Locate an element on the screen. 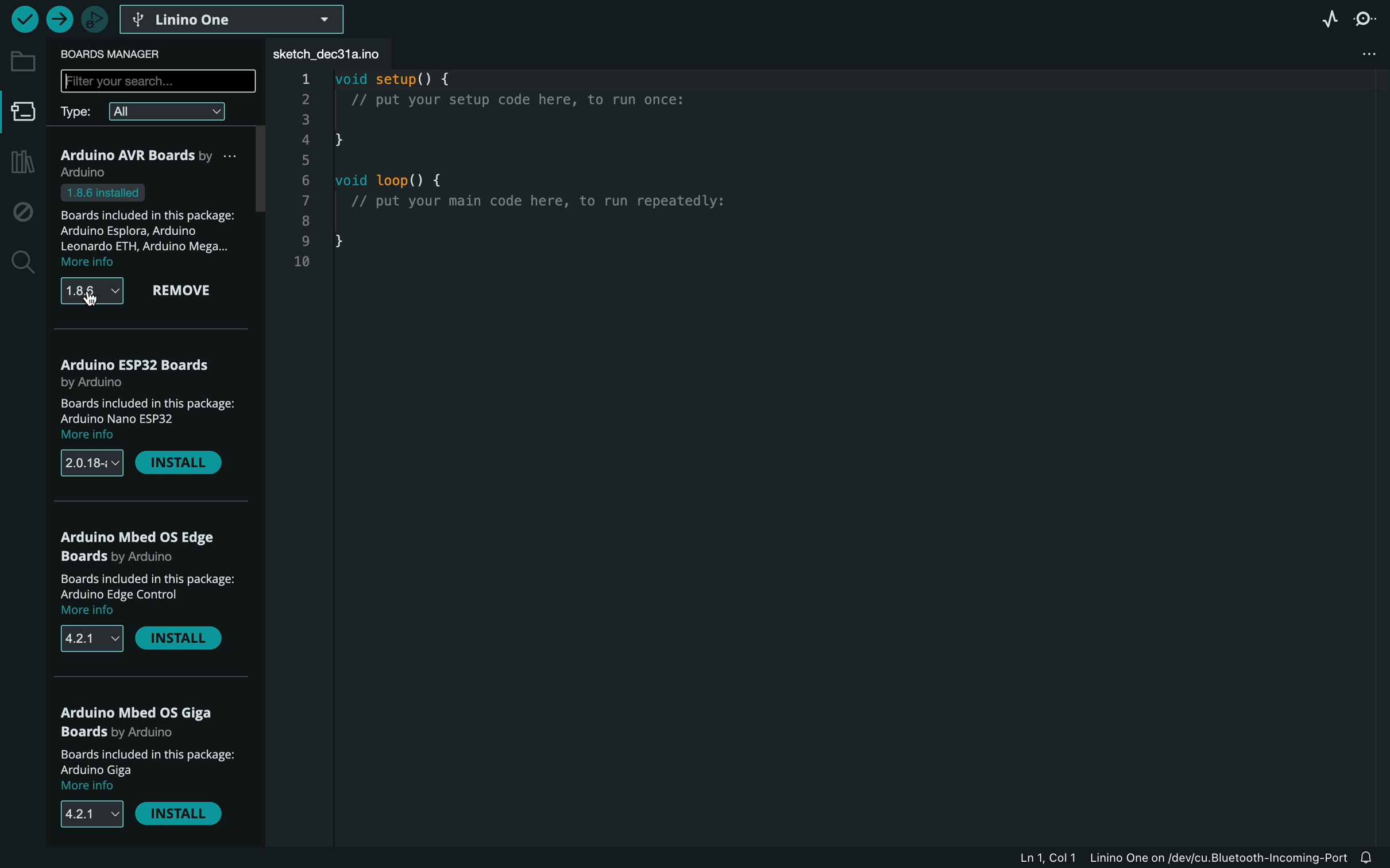 This screenshot has height=868, width=1390. 3 is located at coordinates (306, 118).